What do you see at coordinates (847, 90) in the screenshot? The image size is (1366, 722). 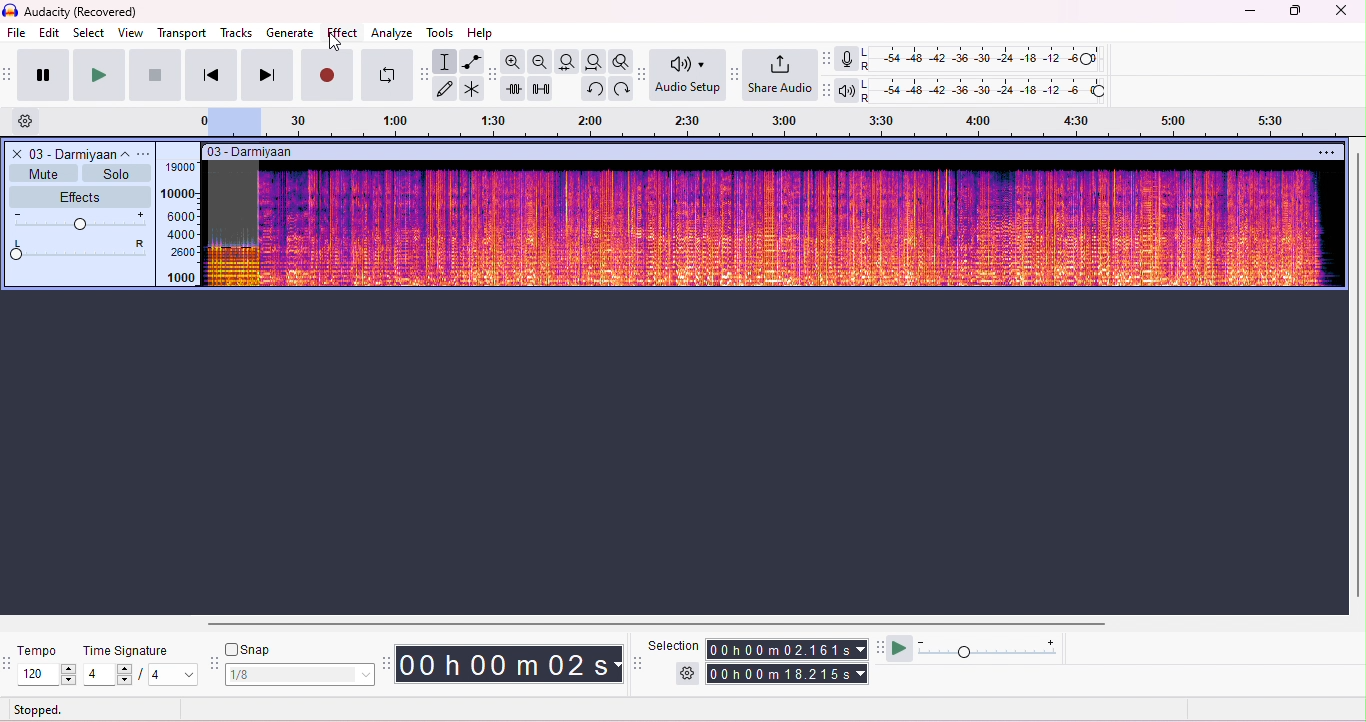 I see `playback meter` at bounding box center [847, 90].